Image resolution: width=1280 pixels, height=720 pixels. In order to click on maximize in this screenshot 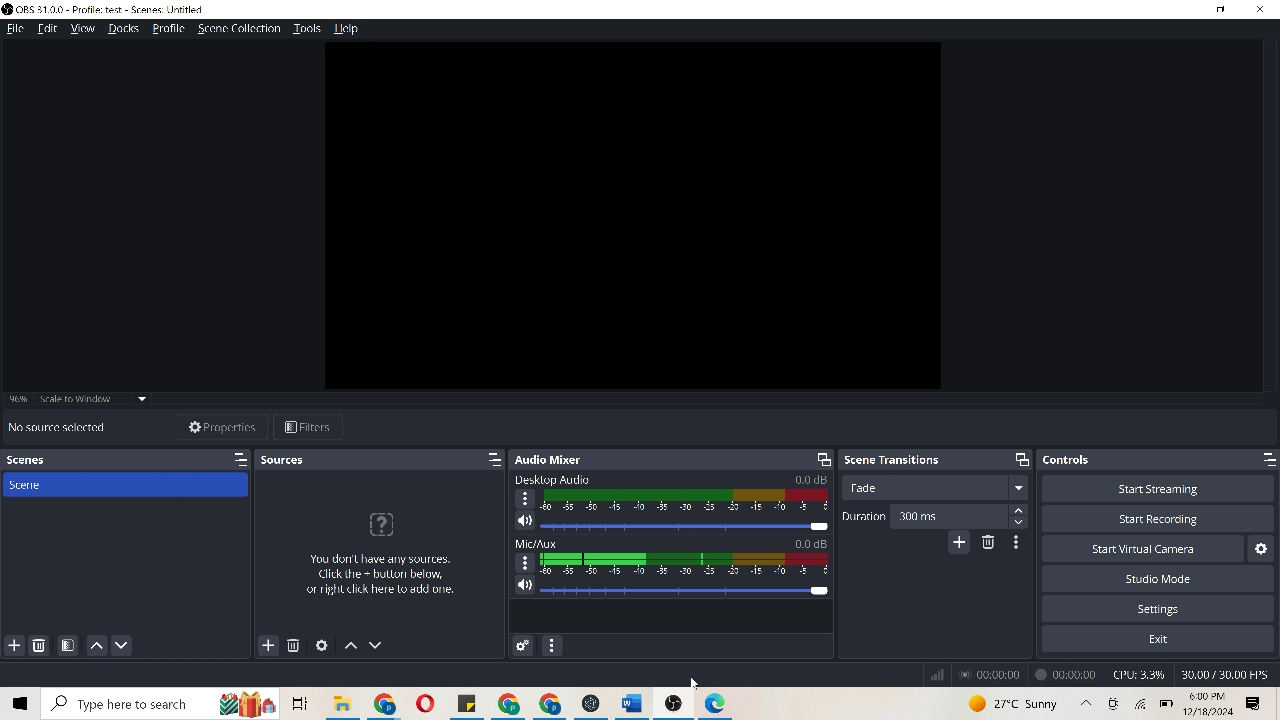, I will do `click(1261, 459)`.